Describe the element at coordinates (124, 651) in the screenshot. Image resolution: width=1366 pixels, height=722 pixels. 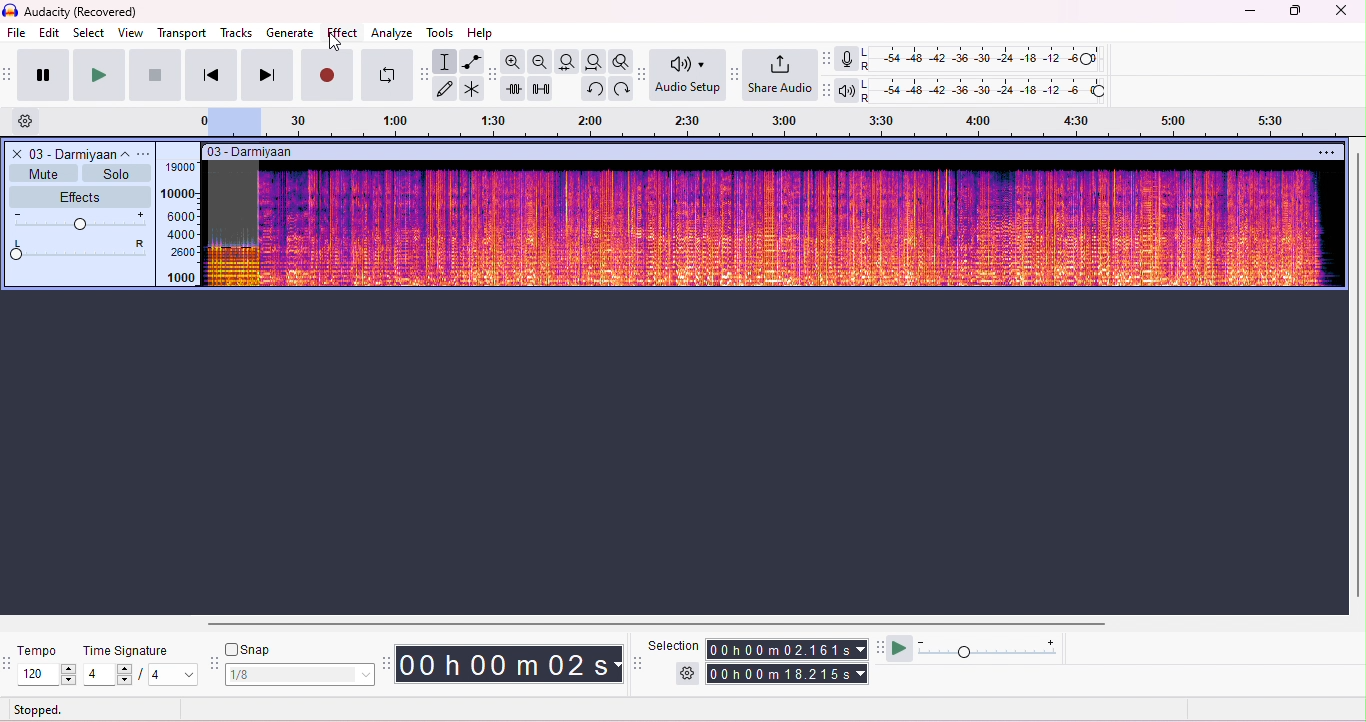
I see `time signature` at that location.